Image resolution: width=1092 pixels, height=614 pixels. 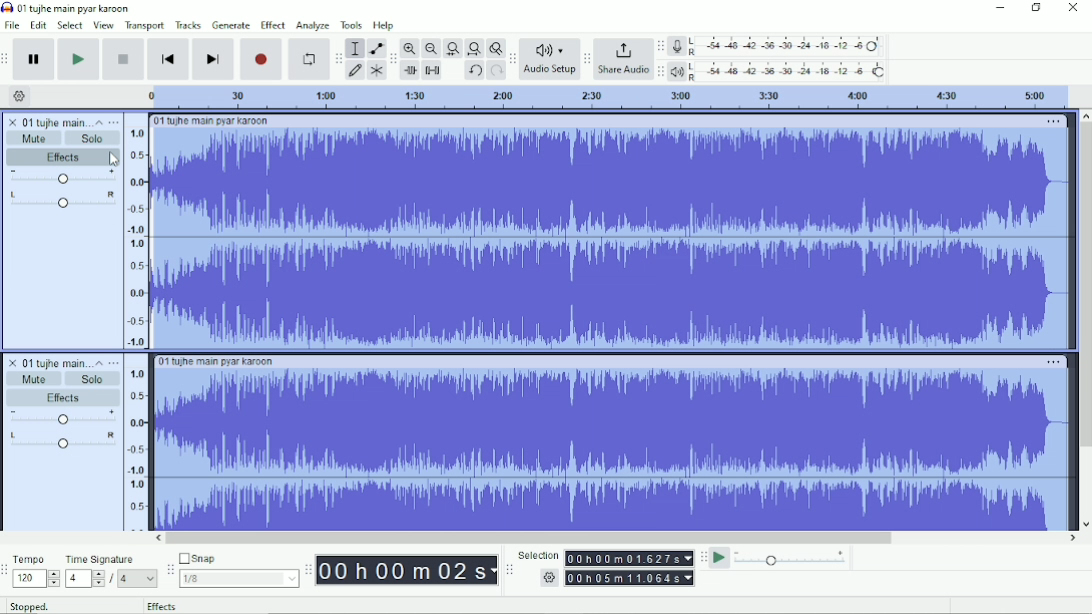 What do you see at coordinates (611, 236) in the screenshot?
I see `Audio` at bounding box center [611, 236].